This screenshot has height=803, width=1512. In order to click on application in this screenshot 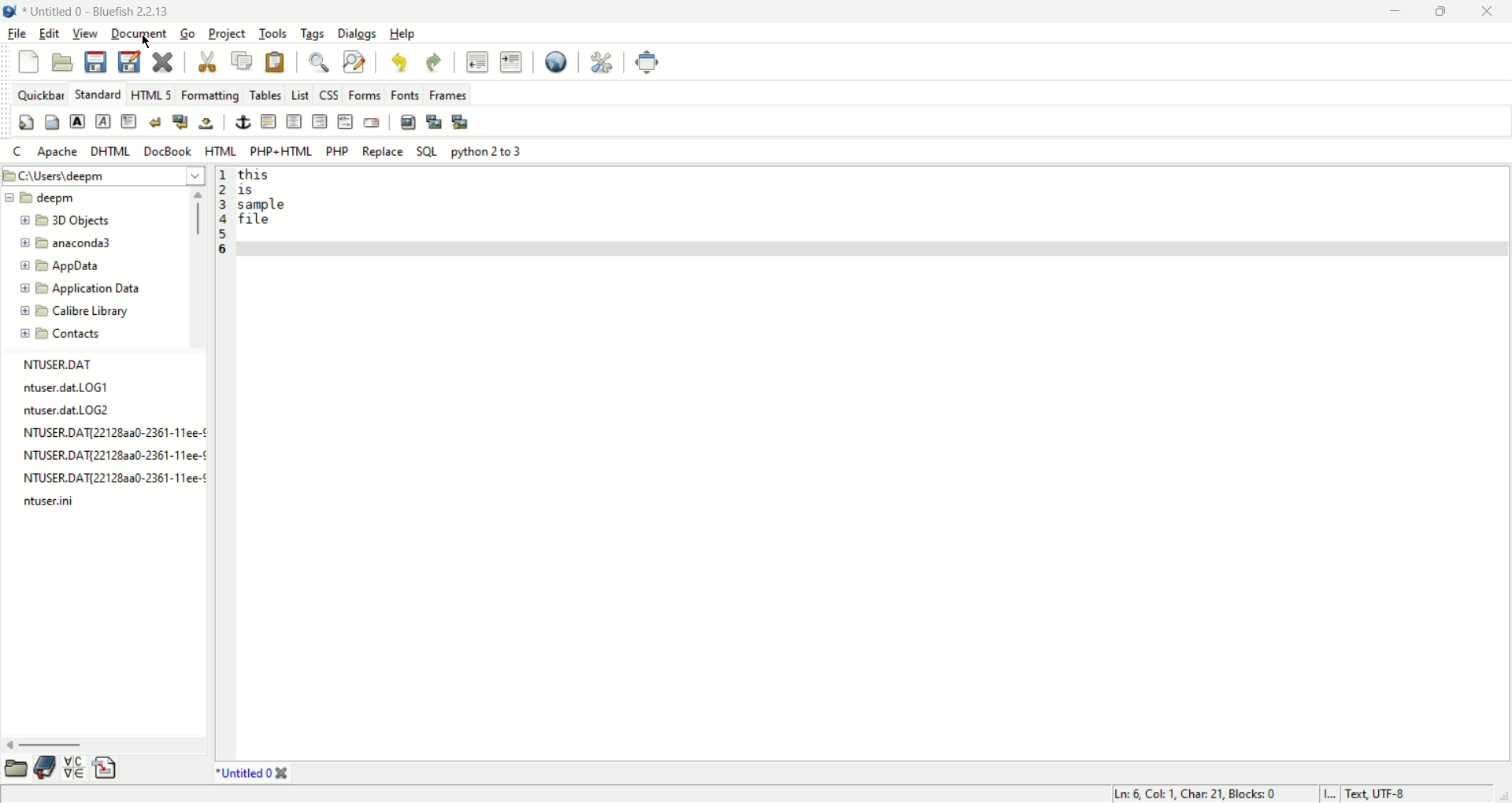, I will do `click(80, 290)`.